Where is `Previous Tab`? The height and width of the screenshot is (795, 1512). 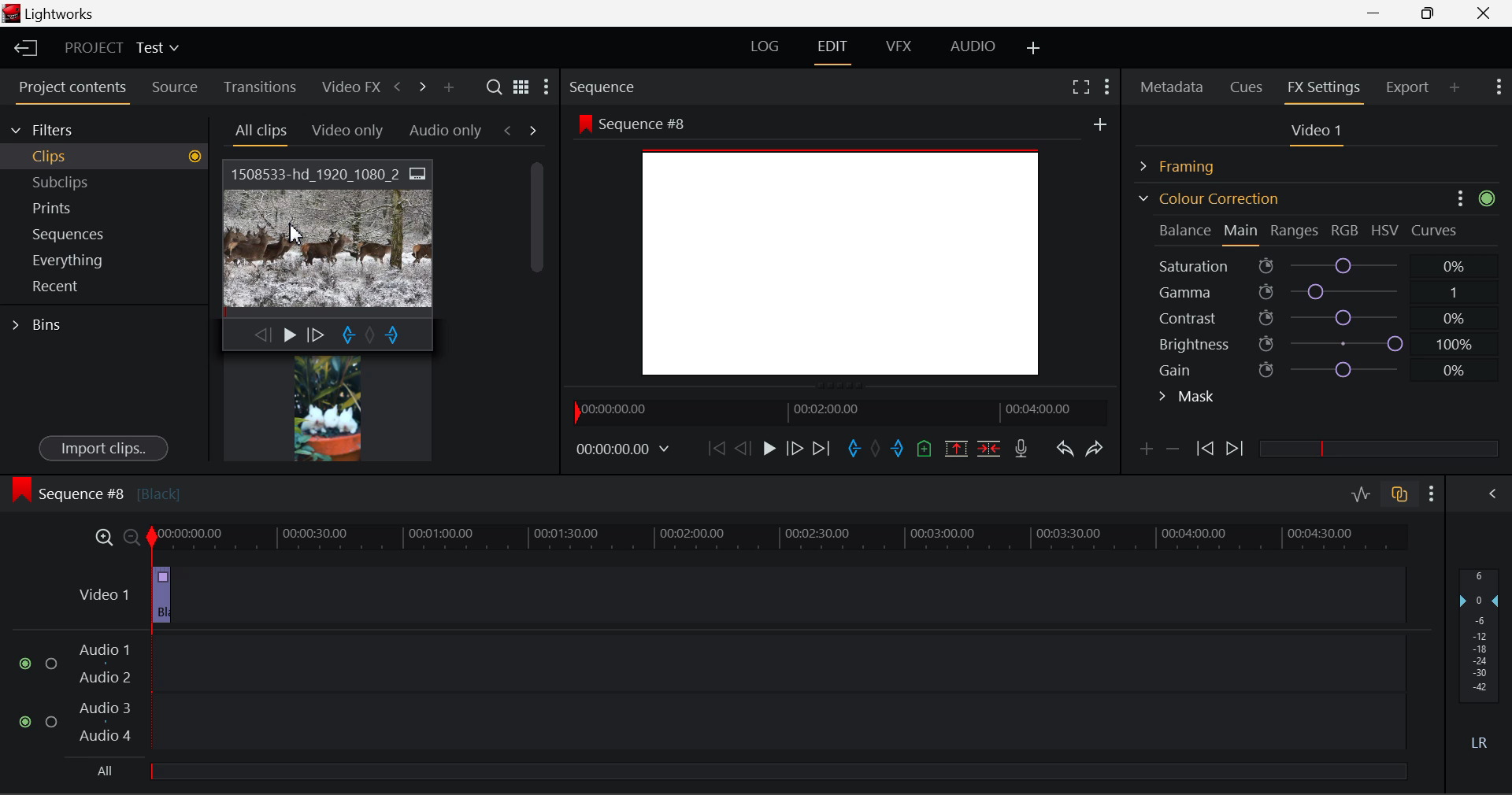 Previous Tab is located at coordinates (510, 130).